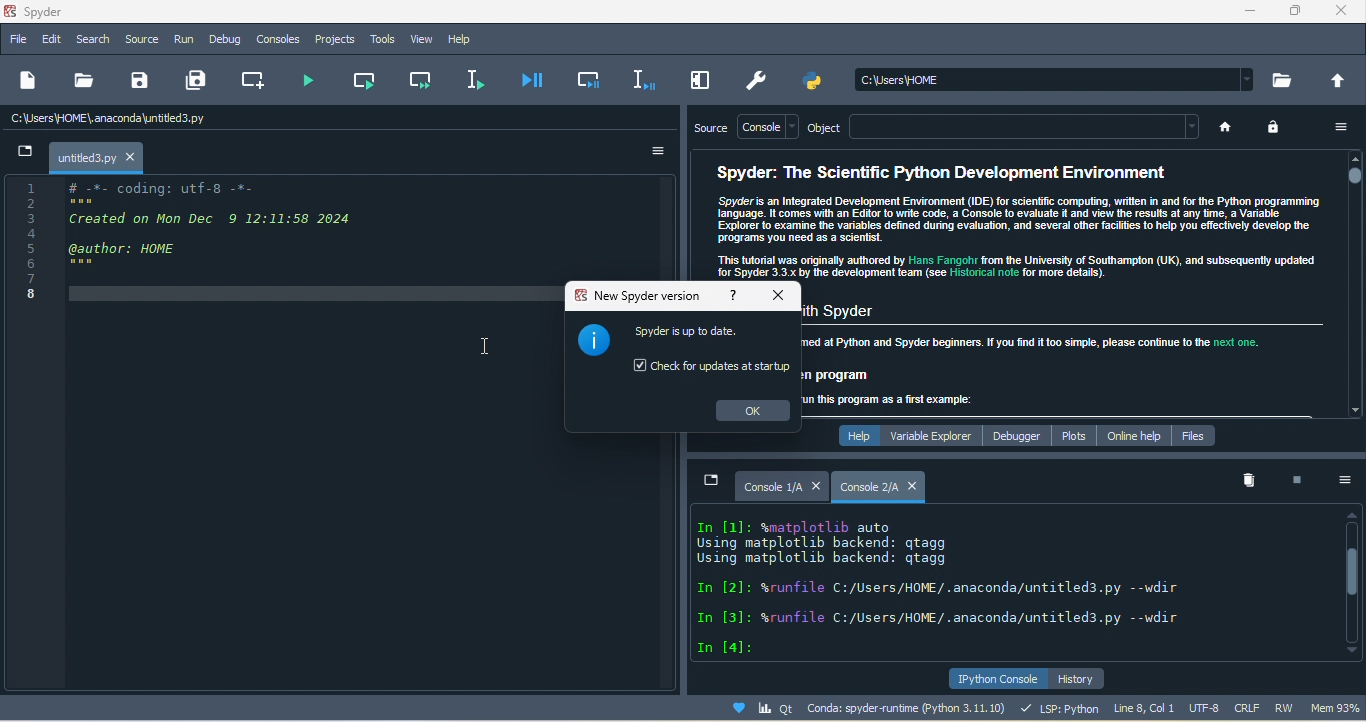 Image resolution: width=1366 pixels, height=722 pixels. Describe the element at coordinates (584, 81) in the screenshot. I see `debug cell` at that location.